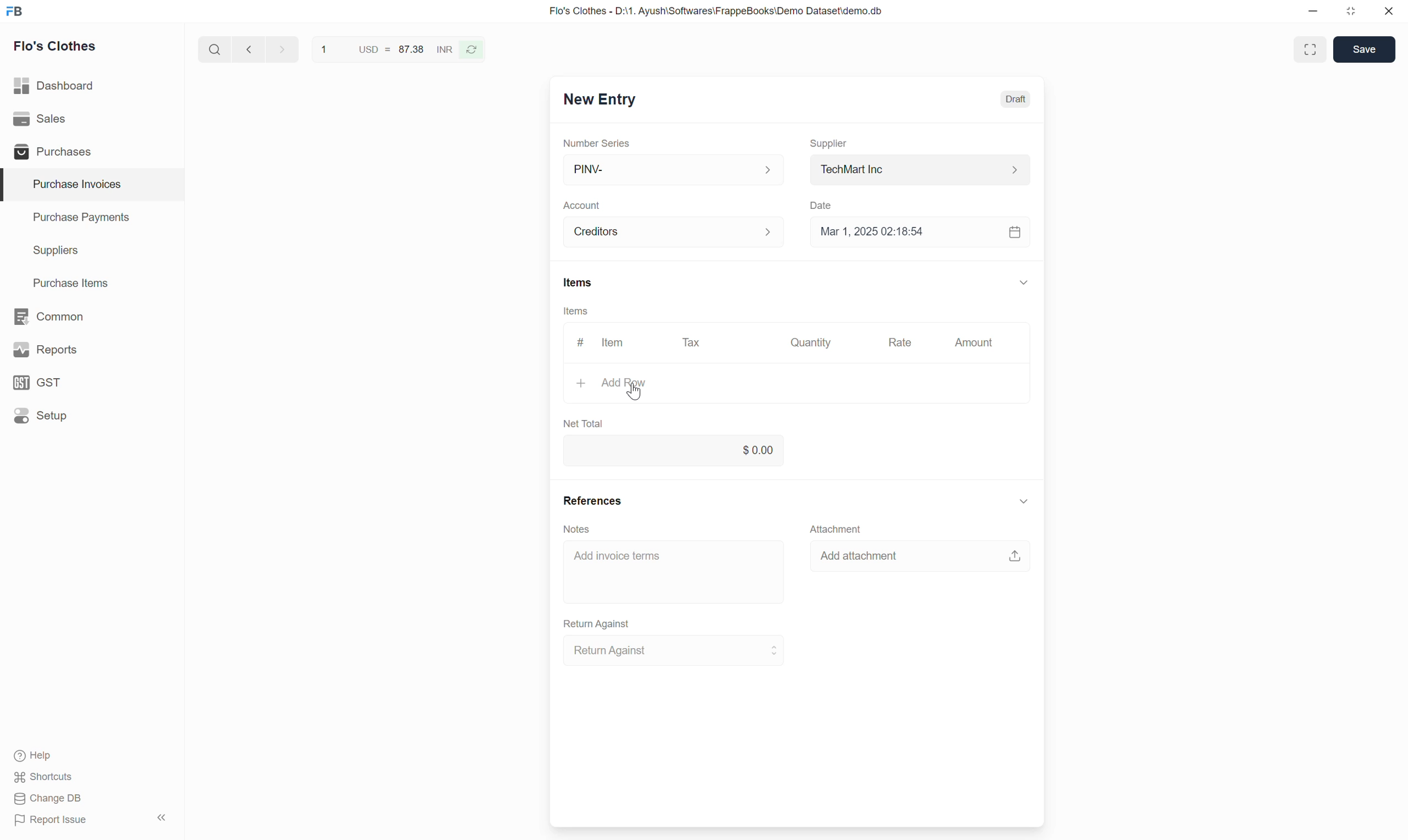  I want to click on Add Row, so click(797, 383).